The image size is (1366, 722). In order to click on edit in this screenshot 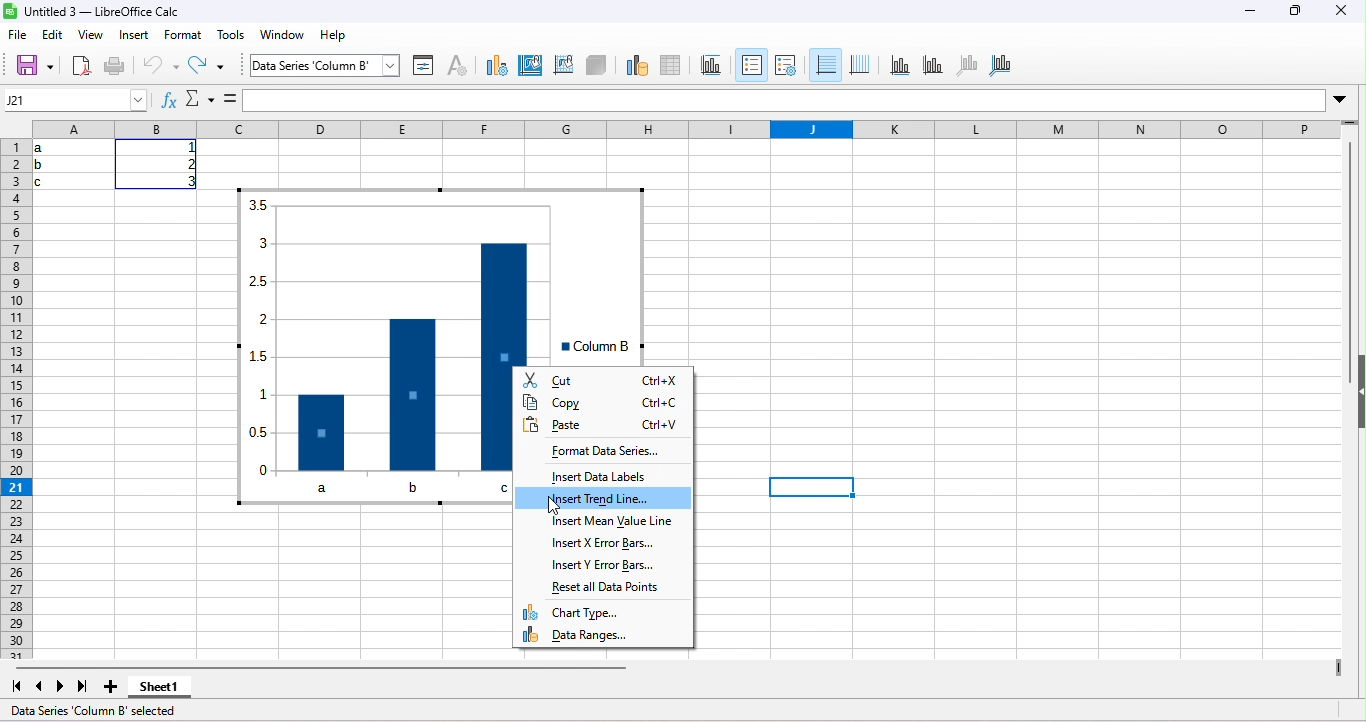, I will do `click(55, 36)`.